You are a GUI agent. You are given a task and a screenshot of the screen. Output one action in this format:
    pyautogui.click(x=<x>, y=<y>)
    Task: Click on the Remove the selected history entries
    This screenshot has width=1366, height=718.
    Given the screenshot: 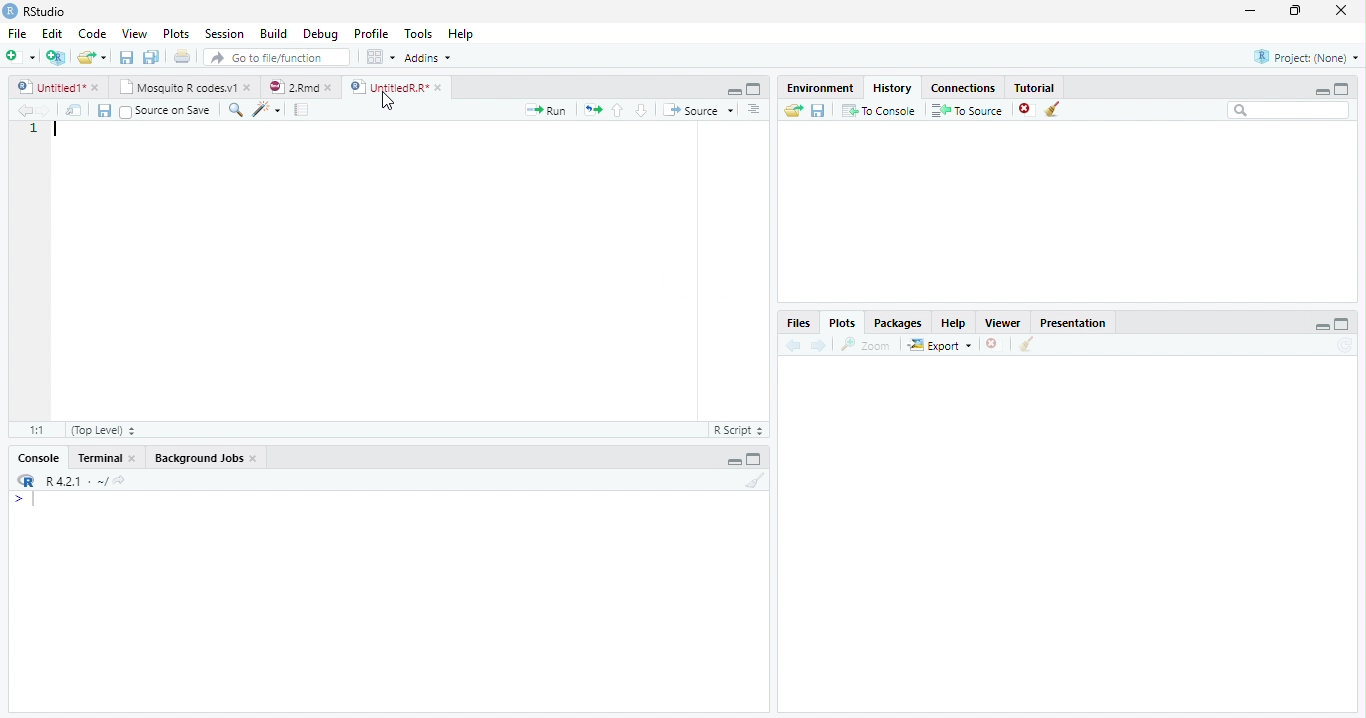 What is the action you would take?
    pyautogui.click(x=1027, y=110)
    